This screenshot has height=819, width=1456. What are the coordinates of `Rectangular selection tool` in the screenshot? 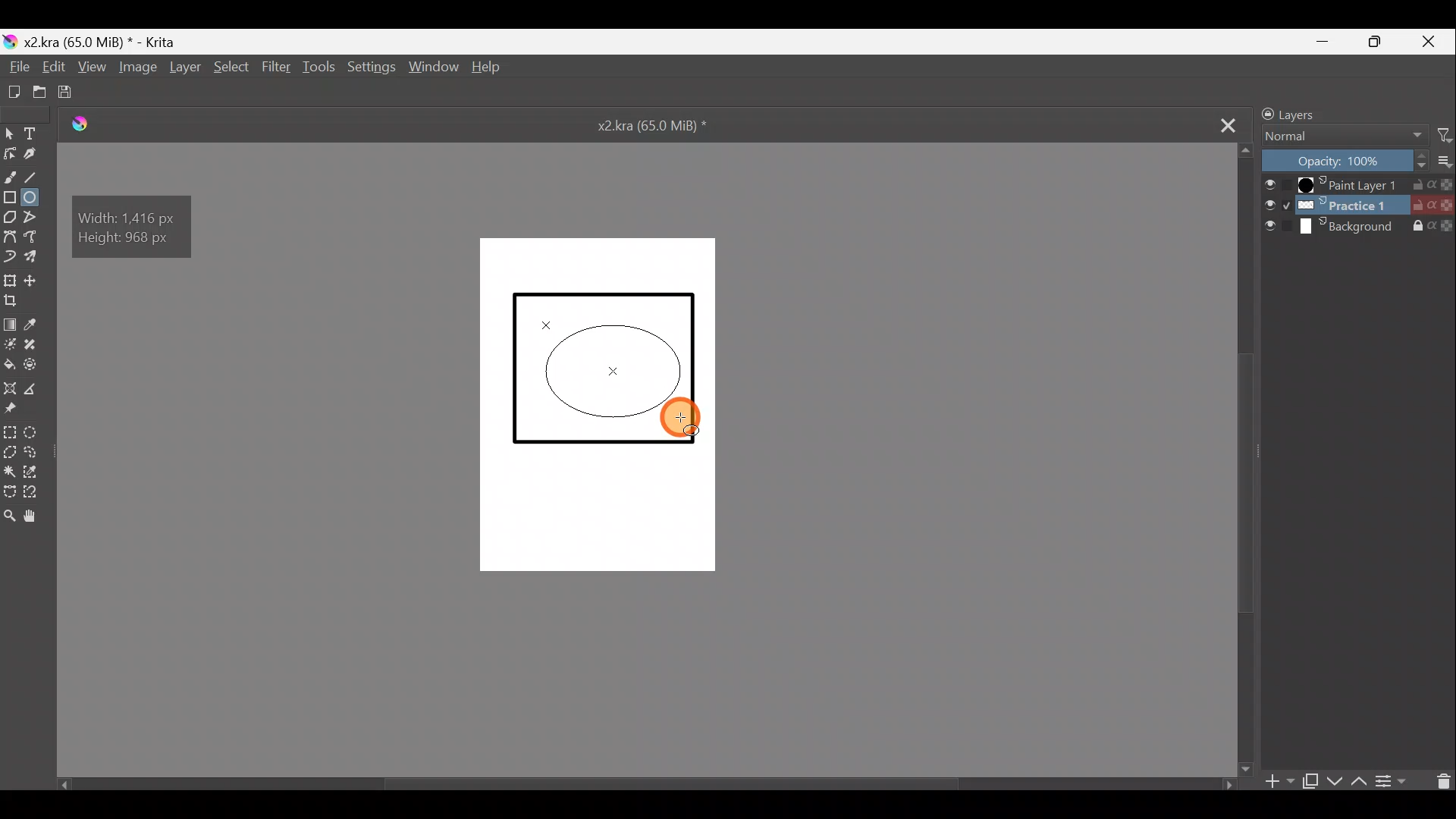 It's located at (10, 431).